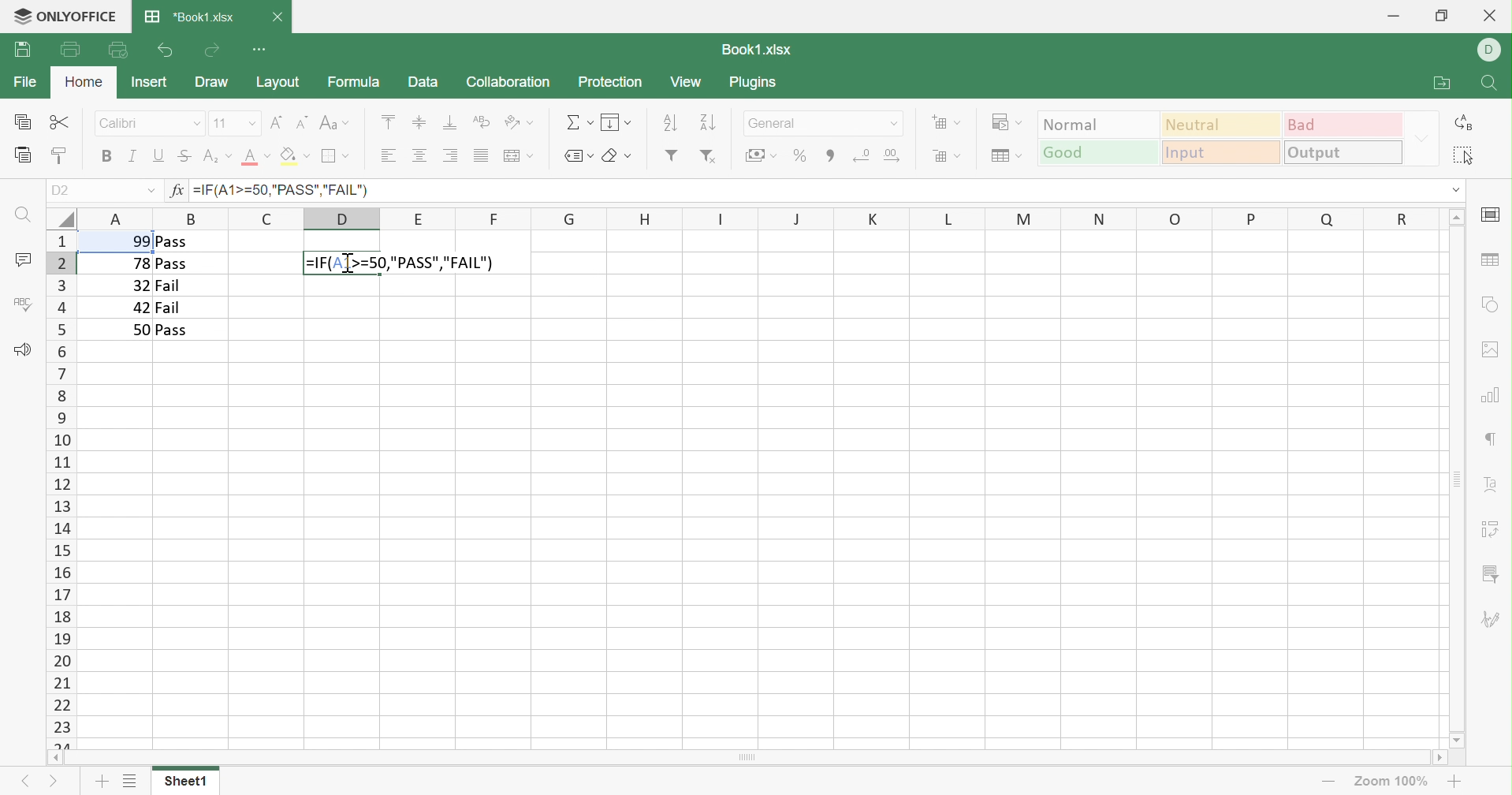 This screenshot has width=1512, height=795. What do you see at coordinates (336, 156) in the screenshot?
I see `Border` at bounding box center [336, 156].